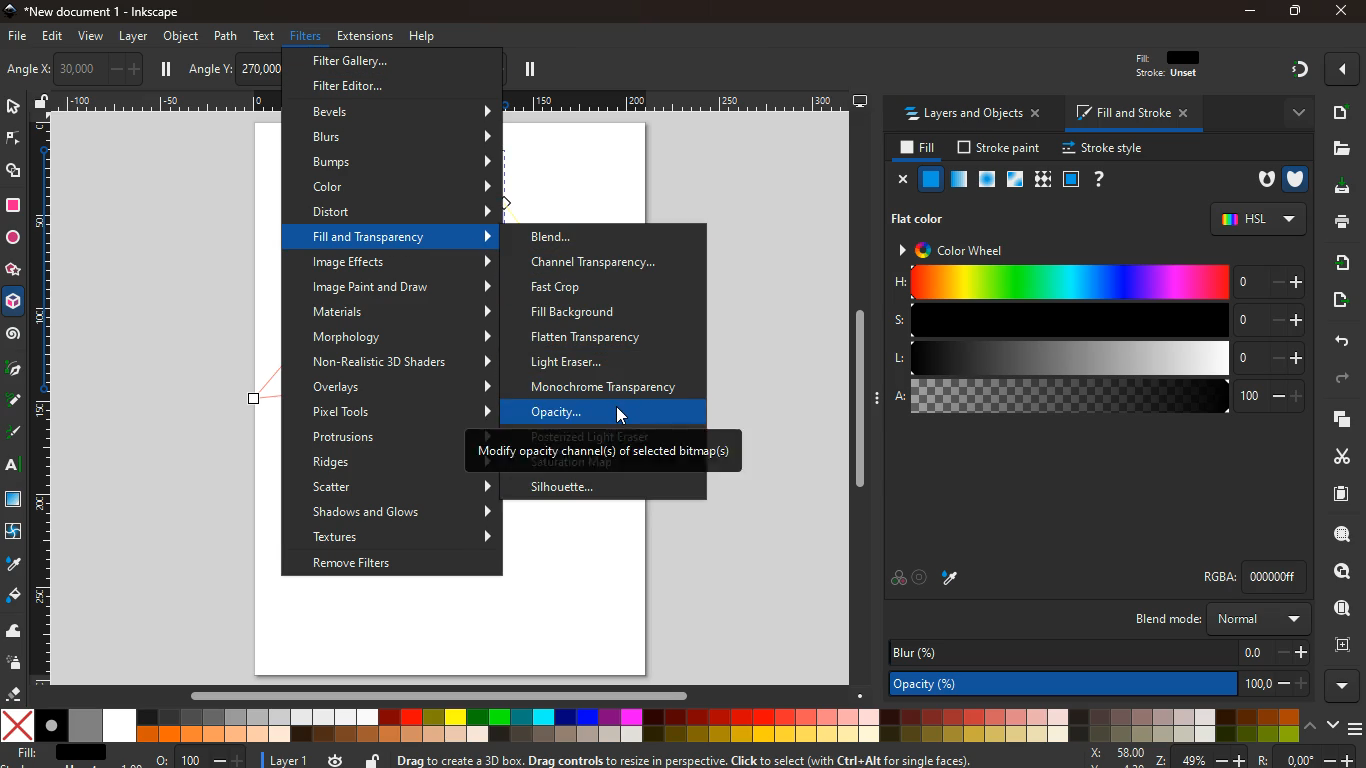  Describe the element at coordinates (608, 262) in the screenshot. I see `channel transparency` at that location.